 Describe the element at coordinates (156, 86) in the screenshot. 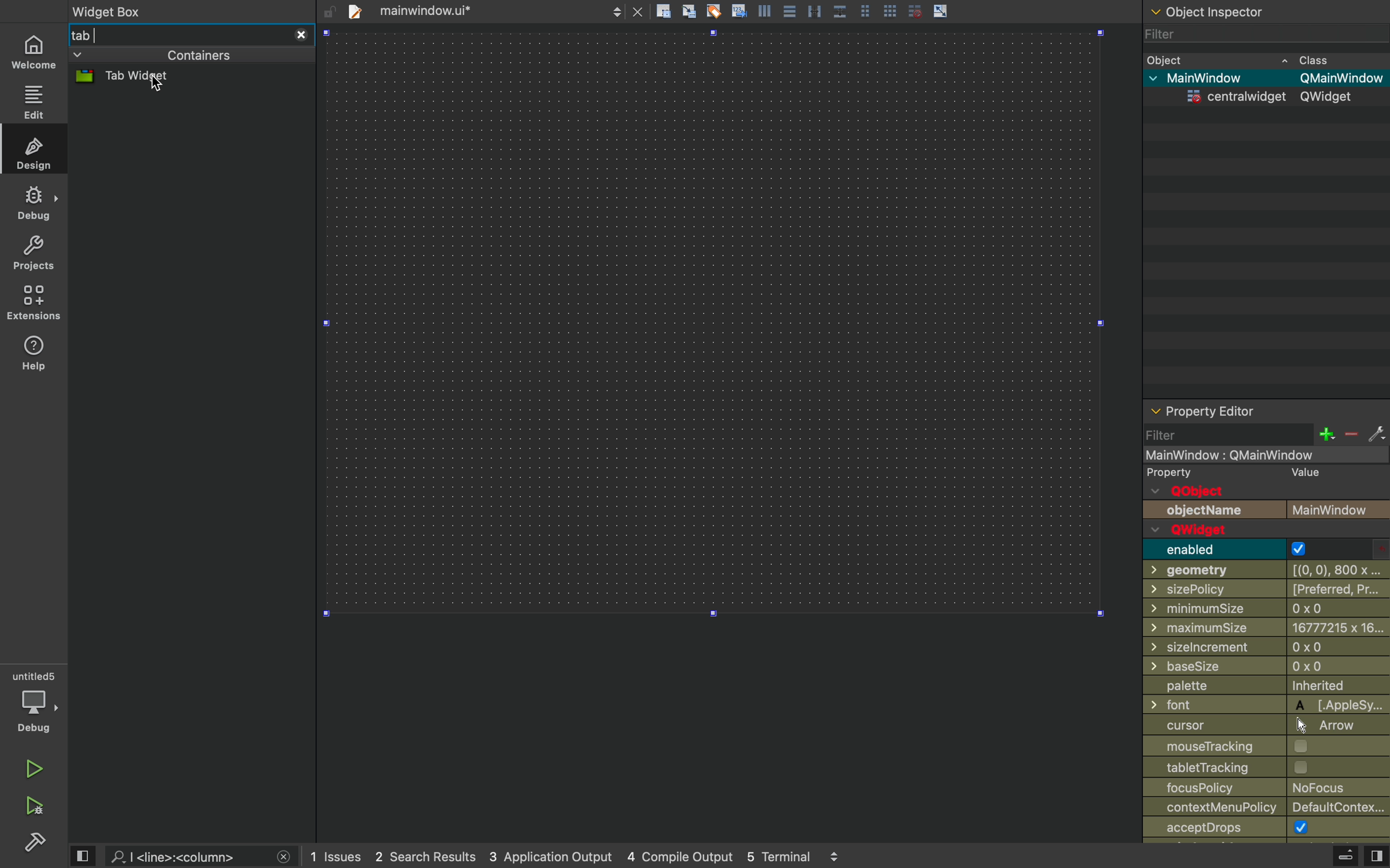

I see `cursor` at that location.